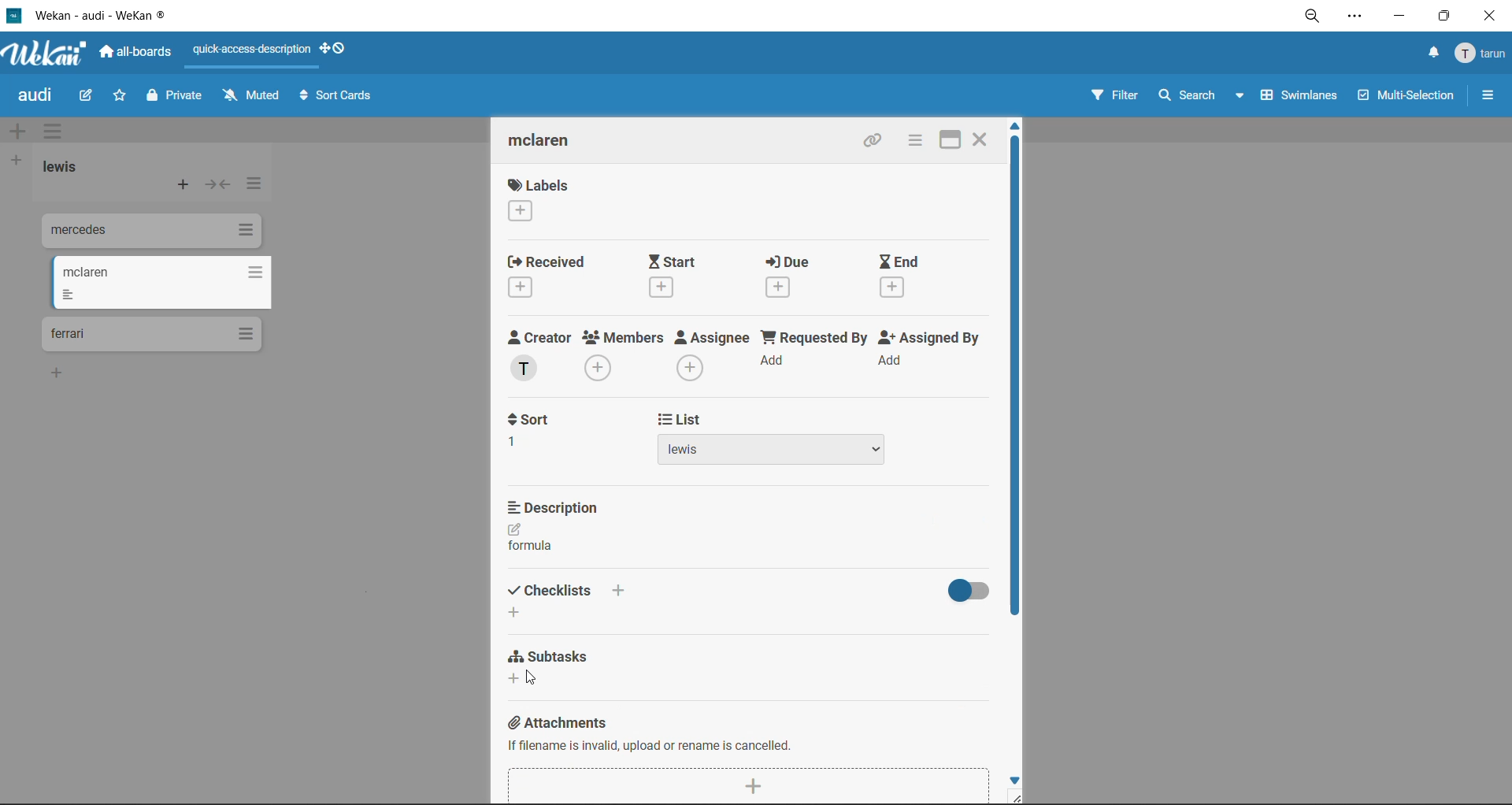  What do you see at coordinates (713, 355) in the screenshot?
I see `assignee` at bounding box center [713, 355].